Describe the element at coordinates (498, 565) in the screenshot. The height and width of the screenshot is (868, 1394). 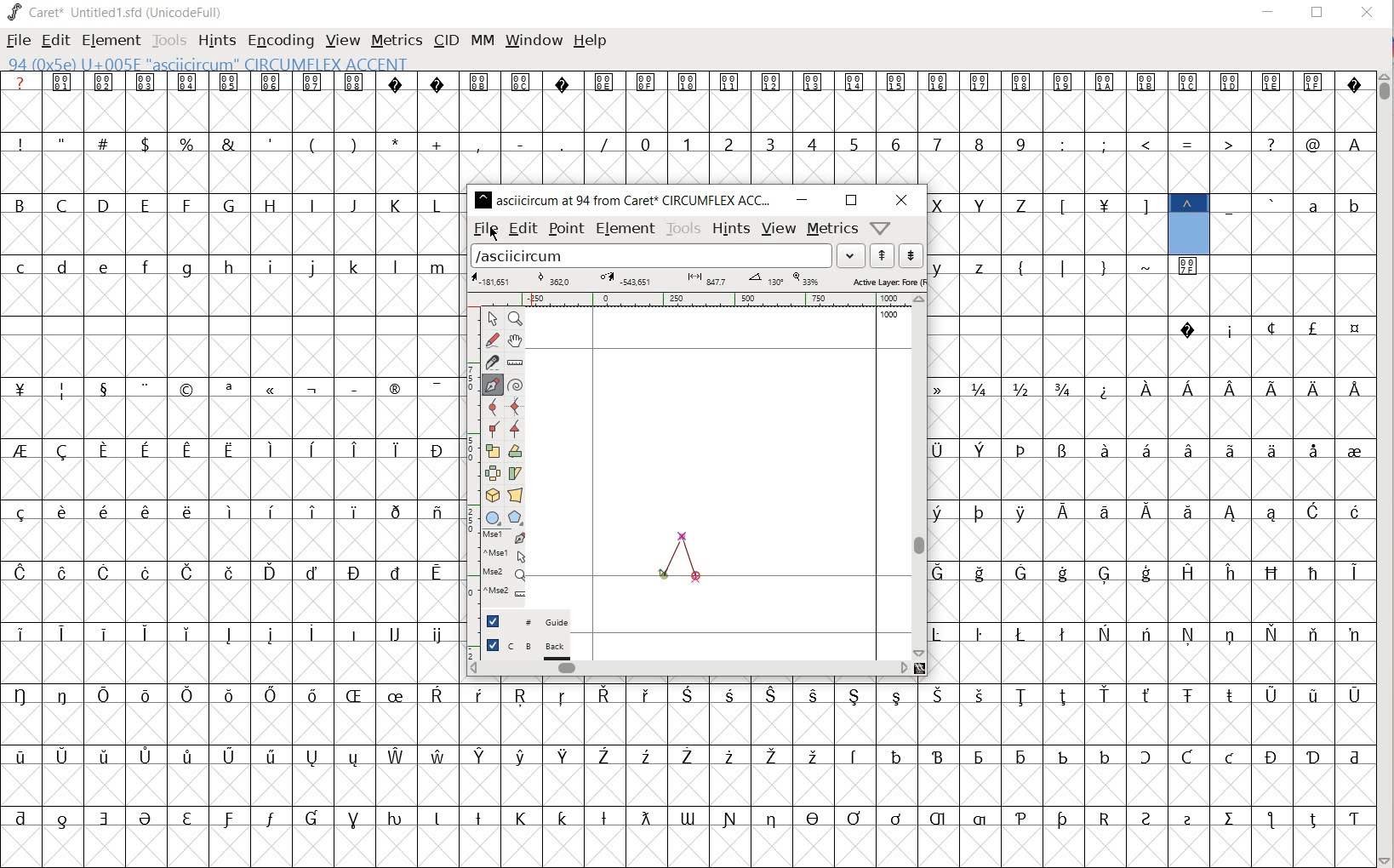
I see `mse1 mse1 mse2 mse2` at that location.